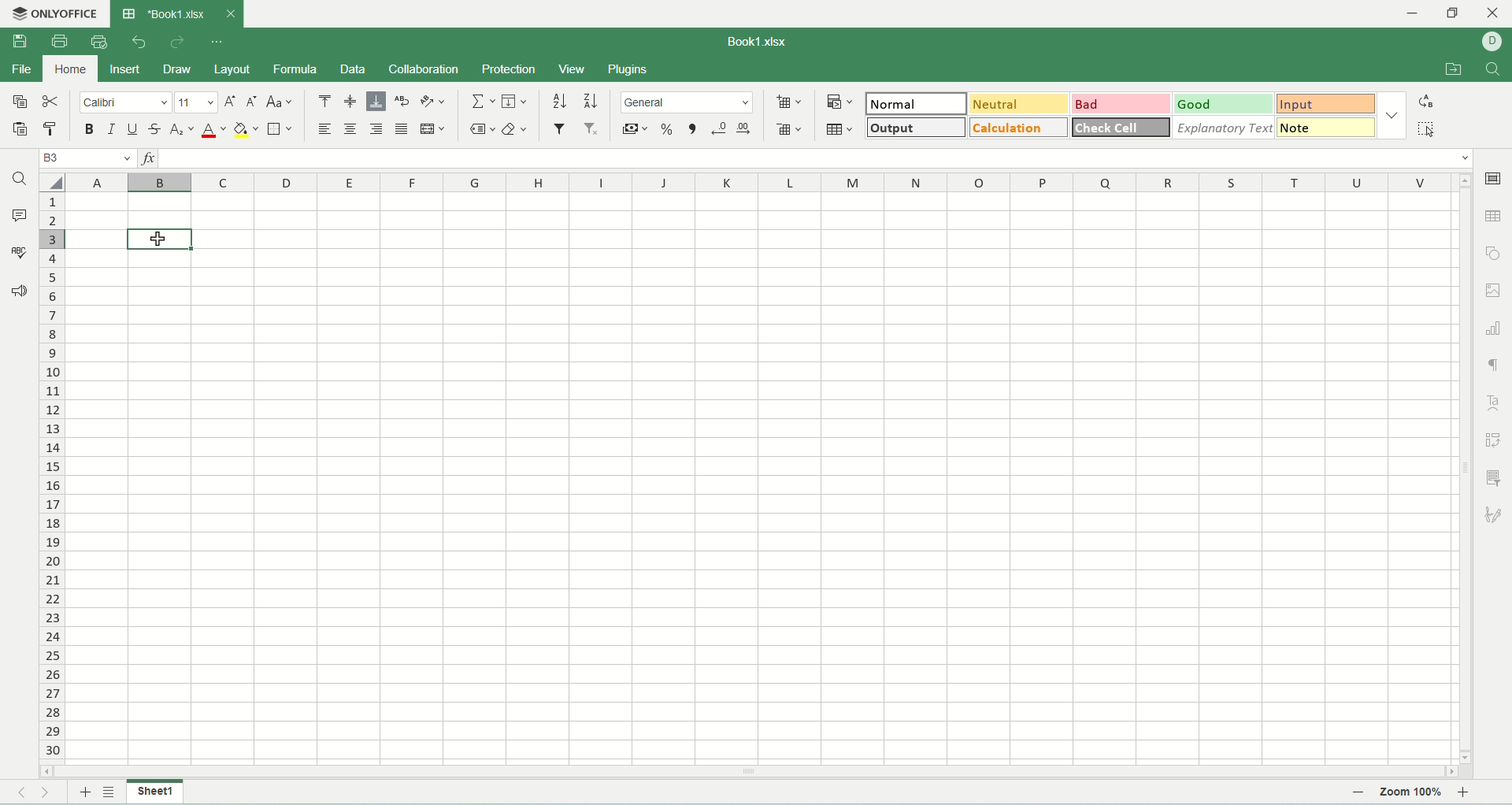 The width and height of the screenshot is (1512, 805). Describe the element at coordinates (1121, 127) in the screenshot. I see `check cell` at that location.